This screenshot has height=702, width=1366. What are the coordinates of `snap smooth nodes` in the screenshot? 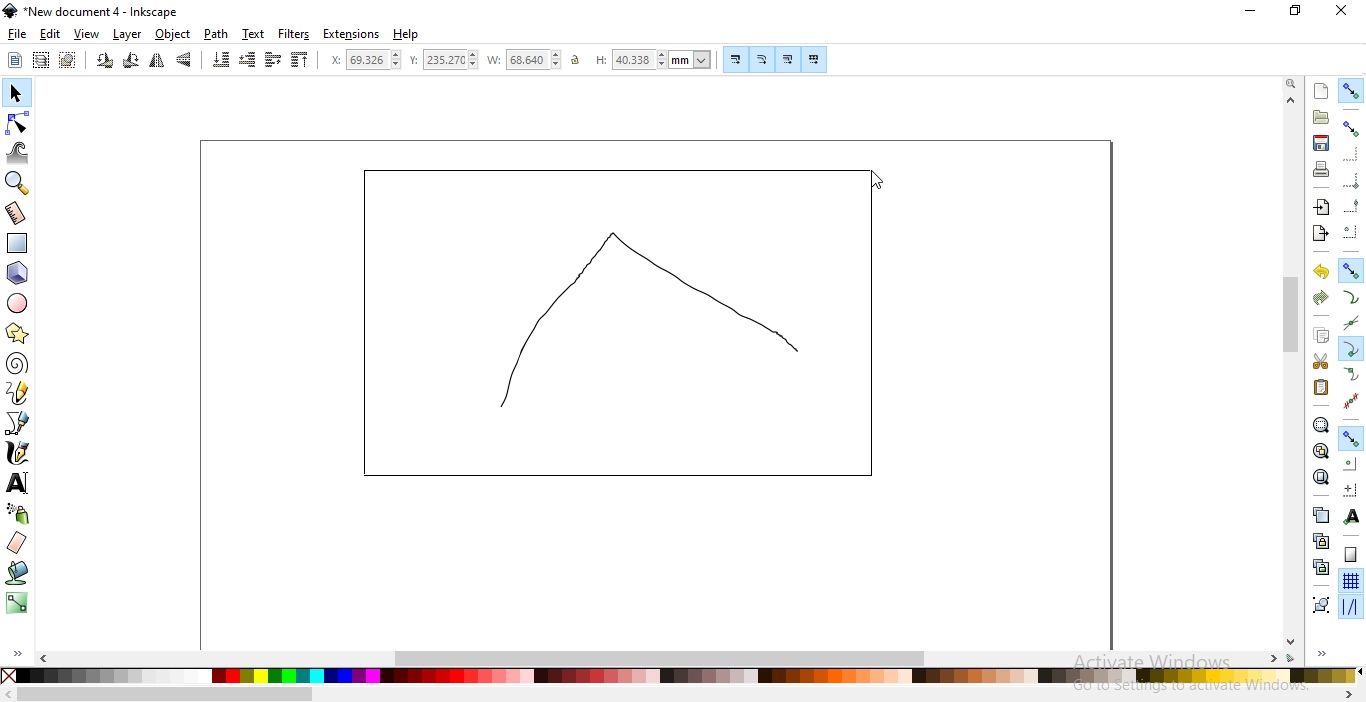 It's located at (1351, 375).